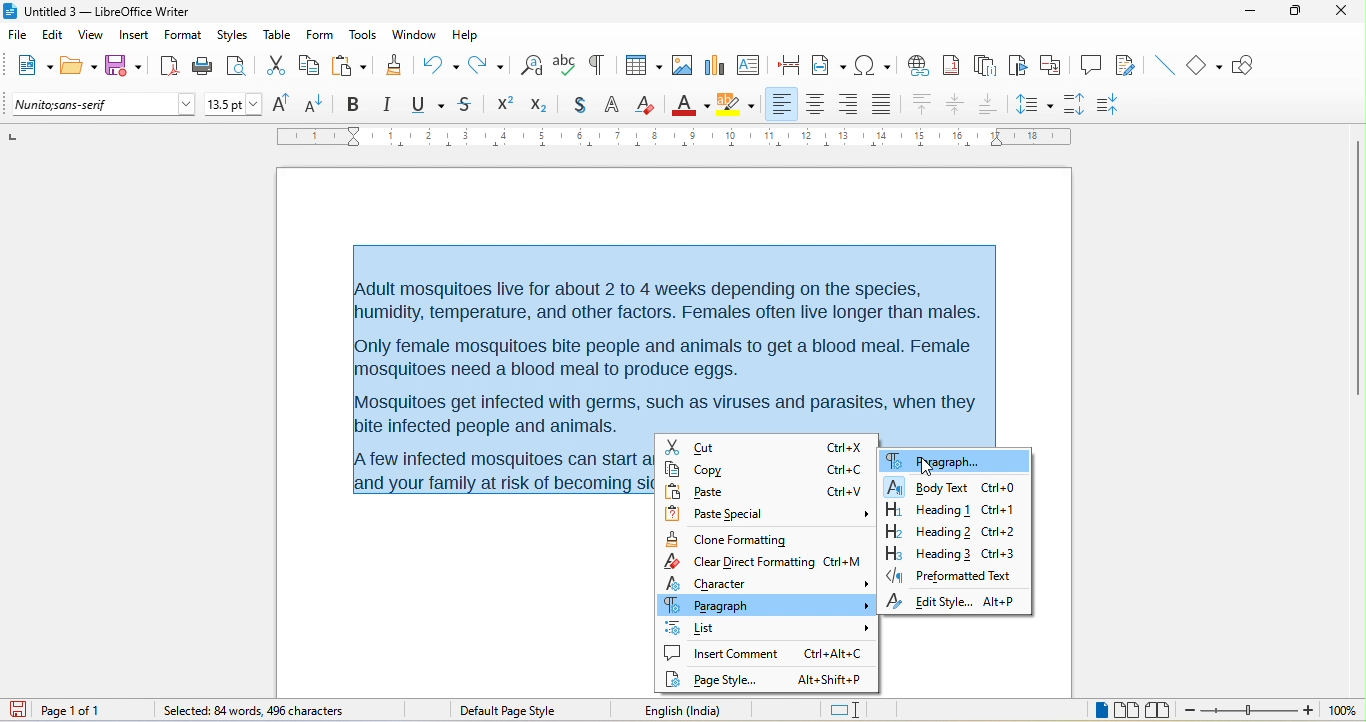 This screenshot has width=1366, height=722. What do you see at coordinates (1091, 63) in the screenshot?
I see `comment` at bounding box center [1091, 63].